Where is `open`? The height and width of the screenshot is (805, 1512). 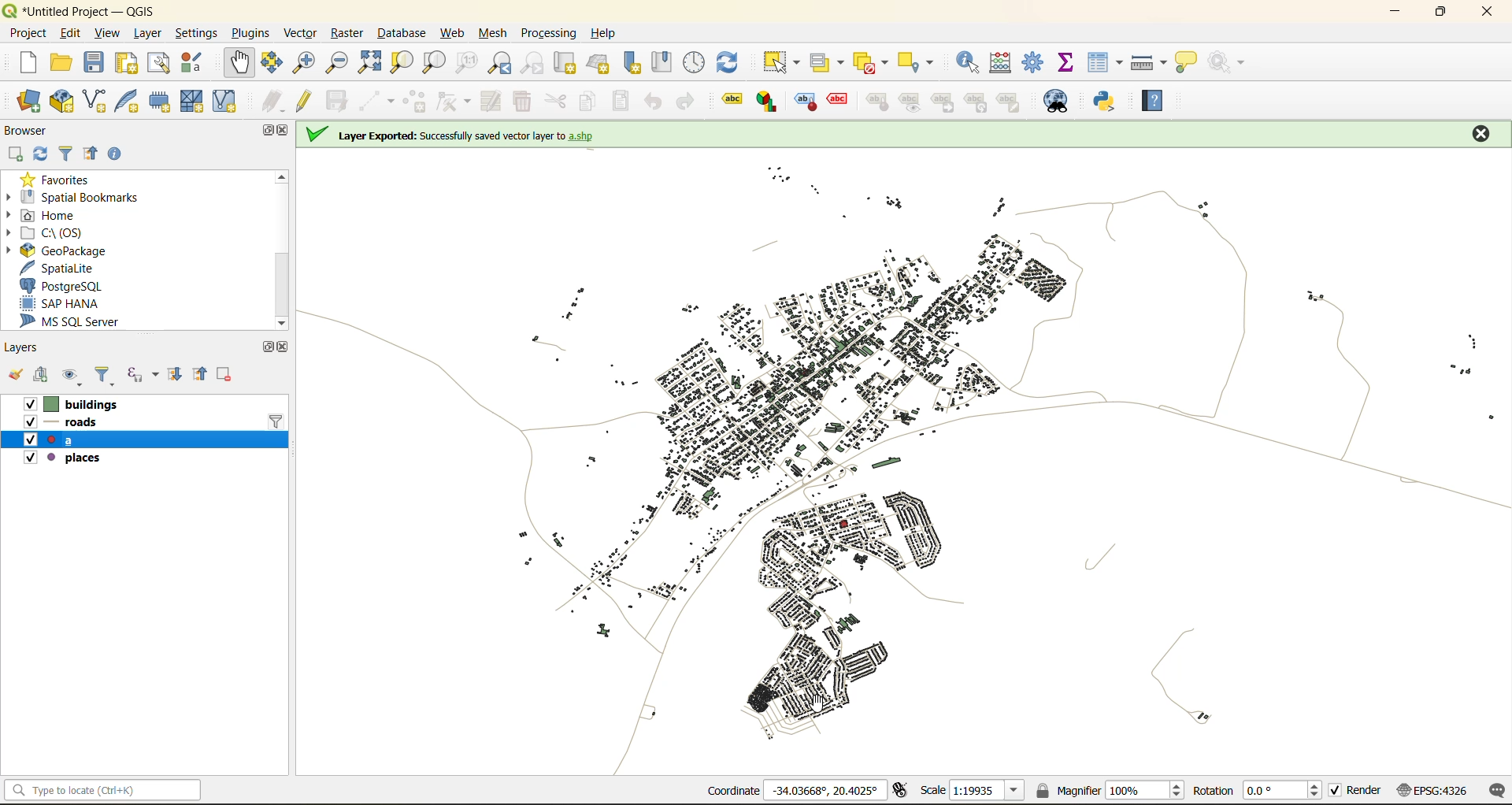 open is located at coordinates (65, 61).